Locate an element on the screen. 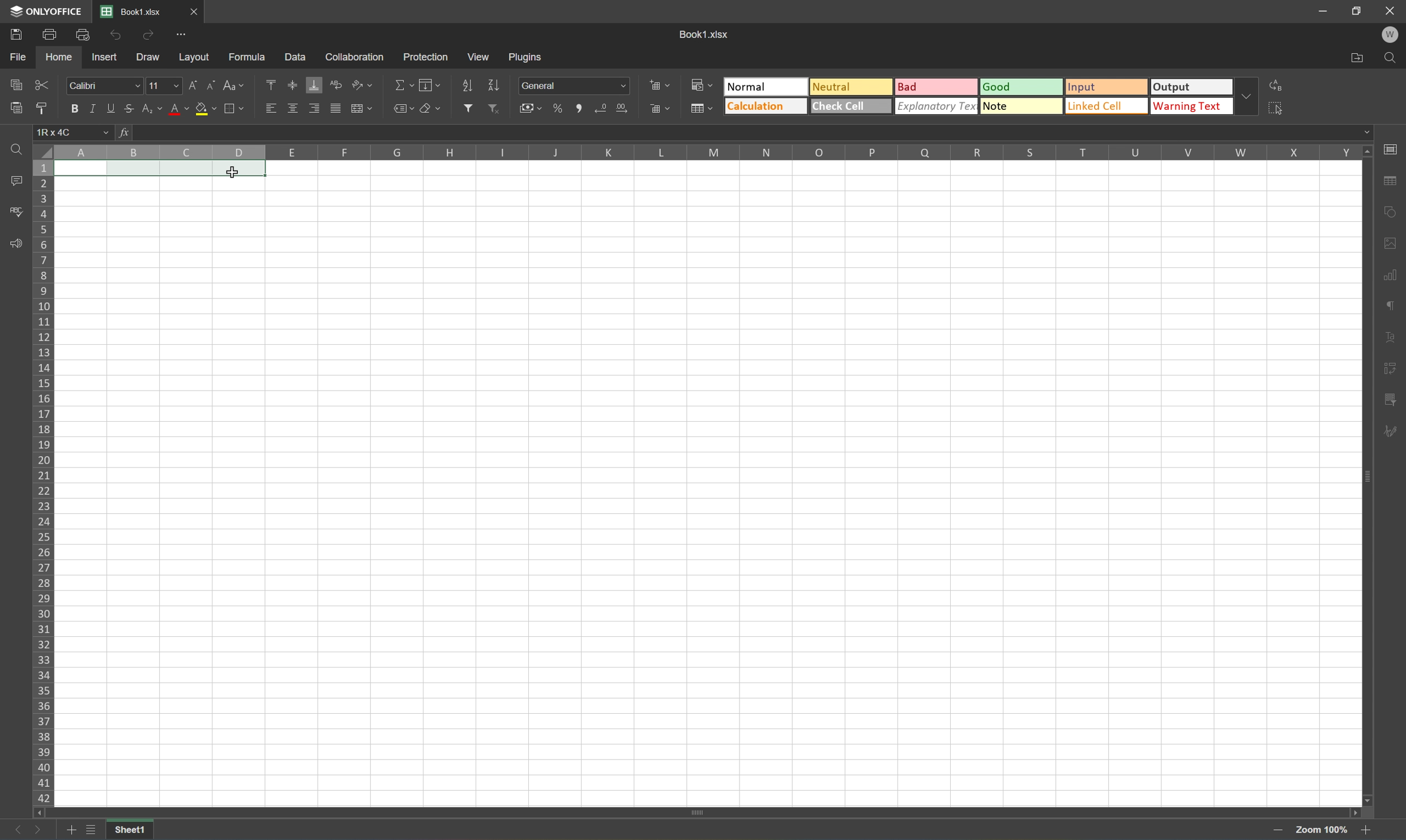 Image resolution: width=1406 pixels, height=840 pixels. Slicer settings is located at coordinates (1390, 370).